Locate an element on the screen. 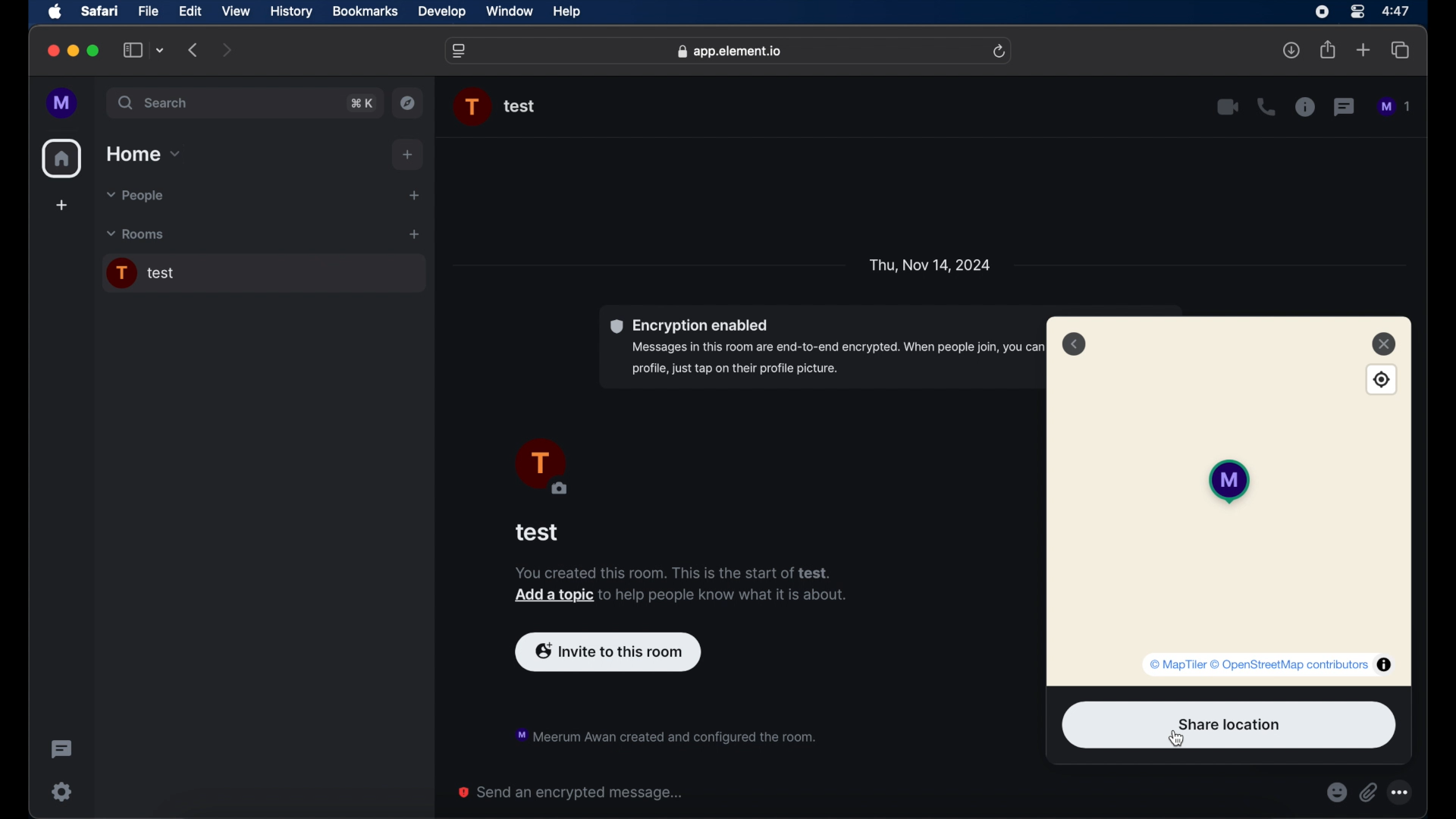 The width and height of the screenshot is (1456, 819). close is located at coordinates (1384, 343).